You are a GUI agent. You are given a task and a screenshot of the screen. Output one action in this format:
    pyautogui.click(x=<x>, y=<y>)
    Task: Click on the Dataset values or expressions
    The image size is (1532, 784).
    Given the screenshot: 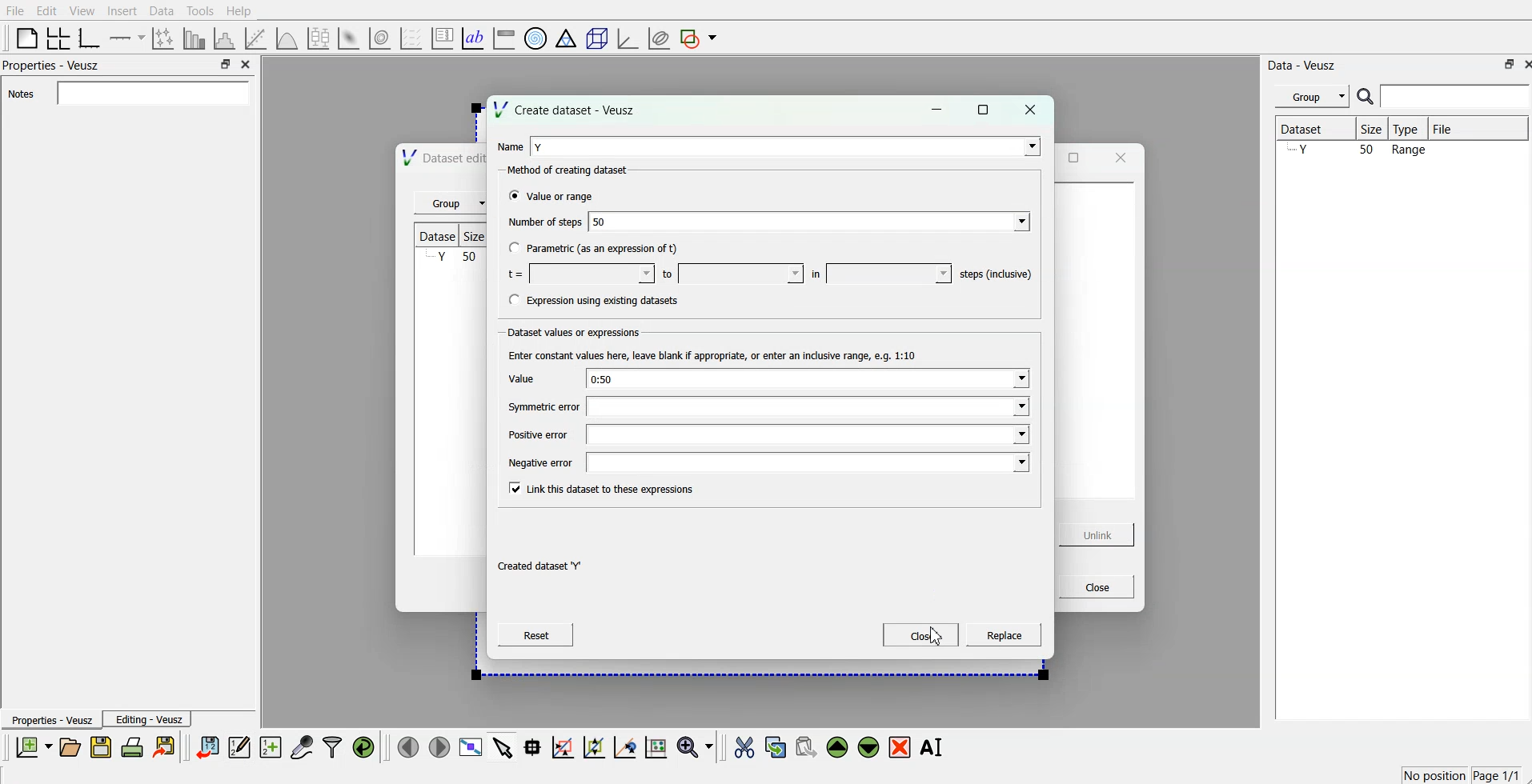 What is the action you would take?
    pyautogui.click(x=576, y=330)
    